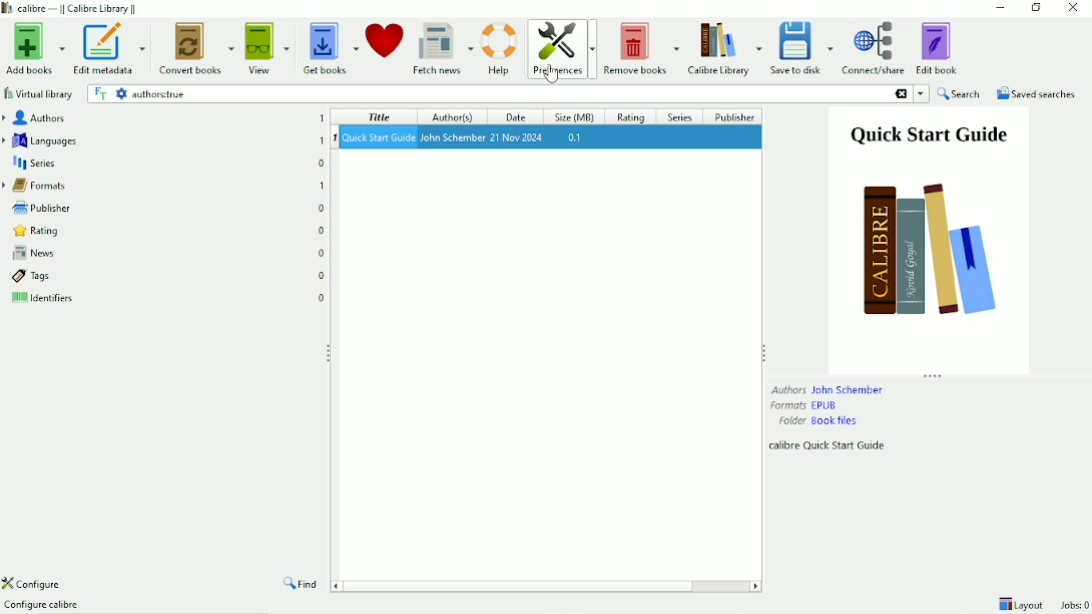 The height and width of the screenshot is (614, 1092). Describe the element at coordinates (33, 583) in the screenshot. I see `Configure` at that location.